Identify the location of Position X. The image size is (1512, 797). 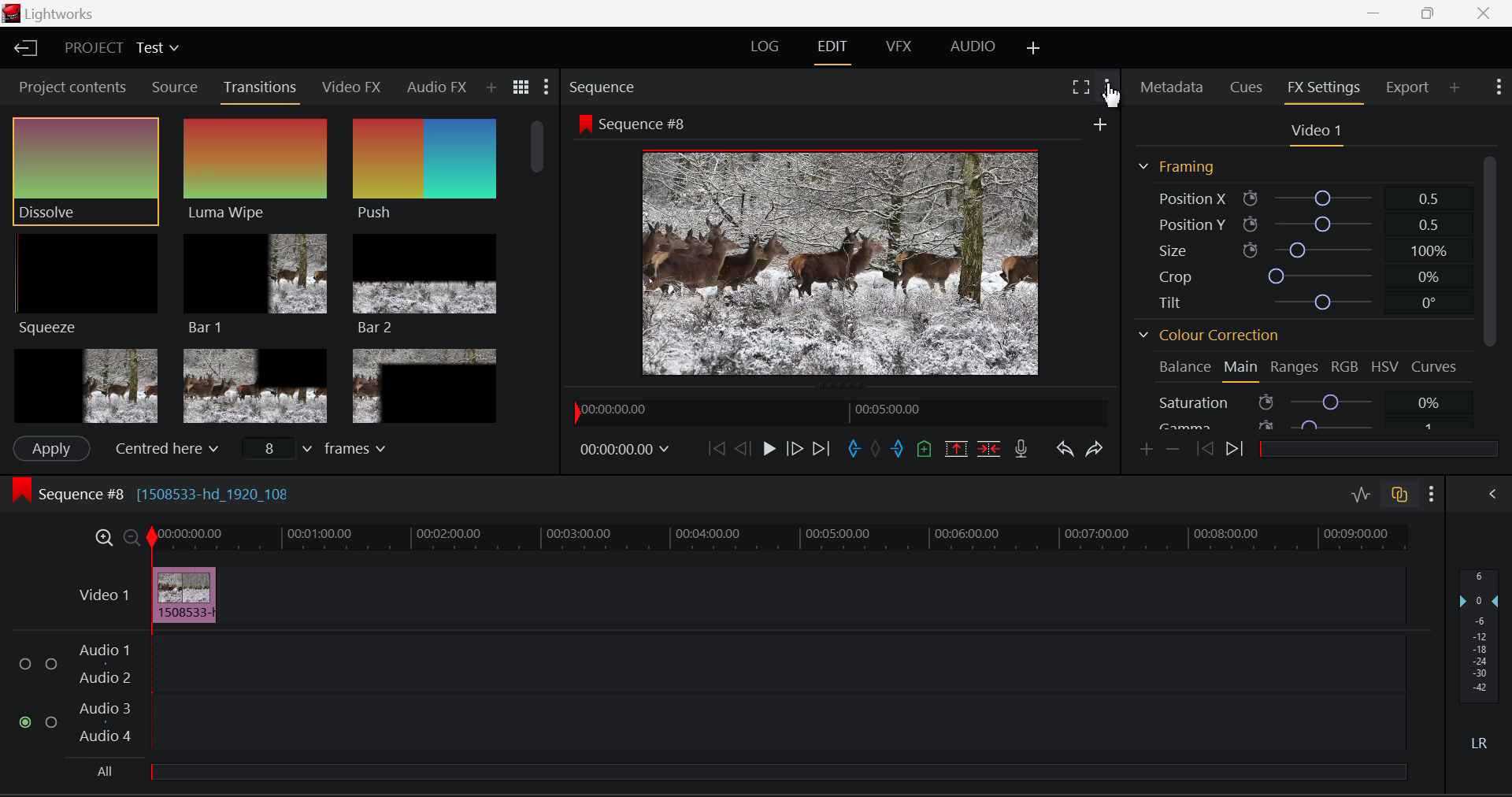
(1299, 197).